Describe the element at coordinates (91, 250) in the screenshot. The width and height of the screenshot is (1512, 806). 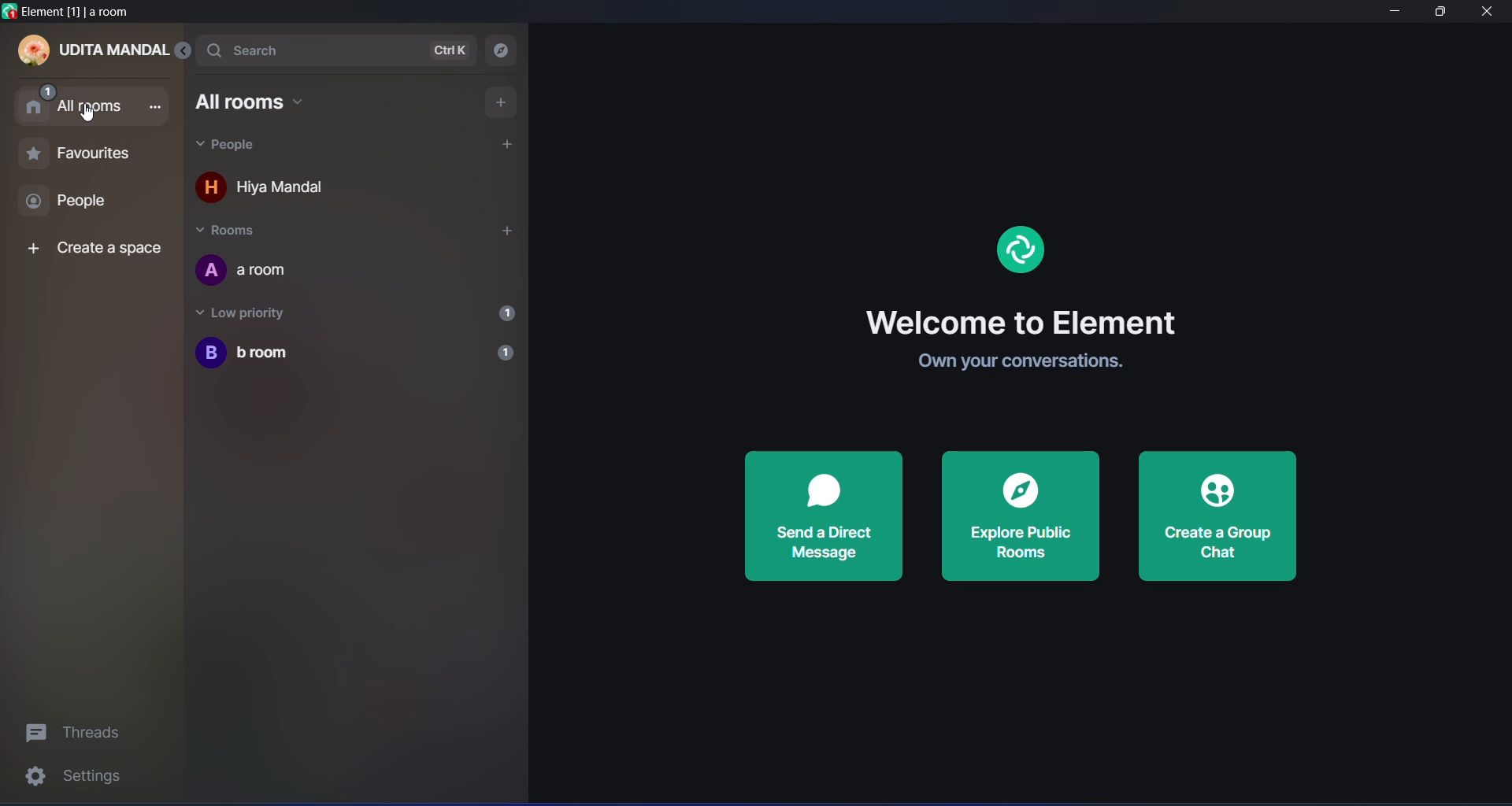
I see `+ Create a space` at that location.